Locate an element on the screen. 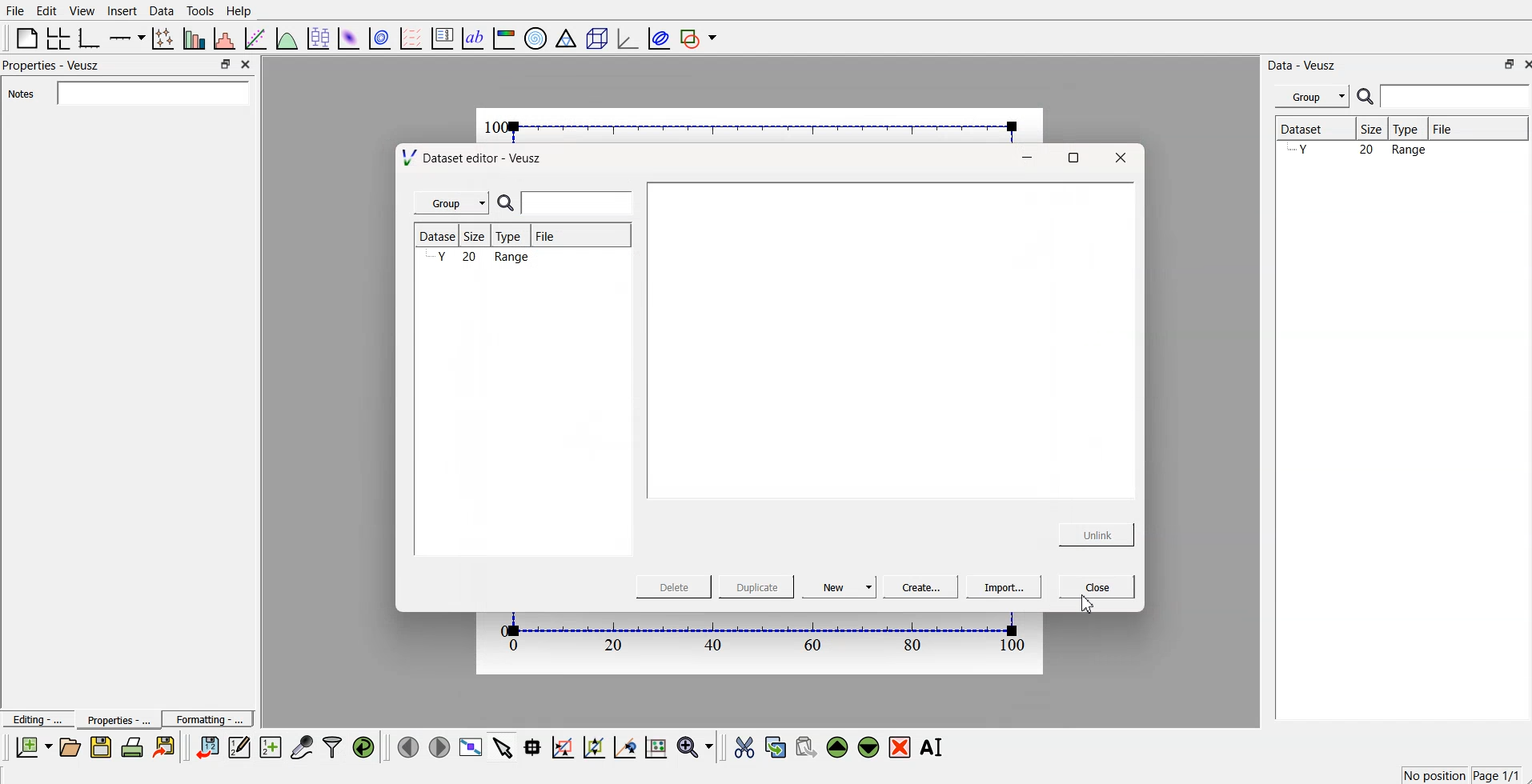 Image resolution: width=1532 pixels, height=784 pixels. Delete is located at coordinates (676, 586).